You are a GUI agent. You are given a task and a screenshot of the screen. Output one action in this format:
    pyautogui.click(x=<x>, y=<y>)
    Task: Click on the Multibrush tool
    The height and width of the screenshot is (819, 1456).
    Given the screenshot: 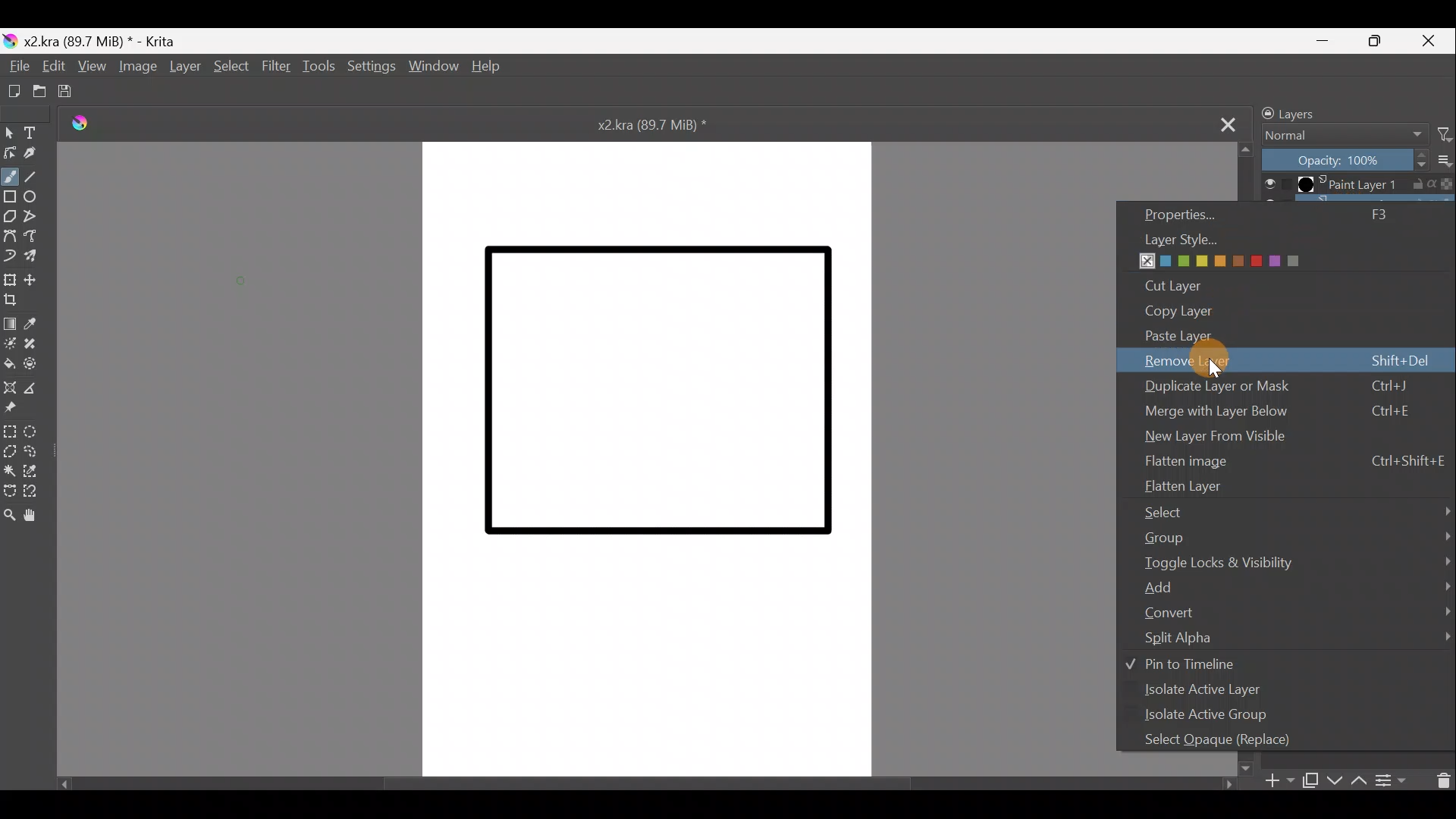 What is the action you would take?
    pyautogui.click(x=36, y=259)
    